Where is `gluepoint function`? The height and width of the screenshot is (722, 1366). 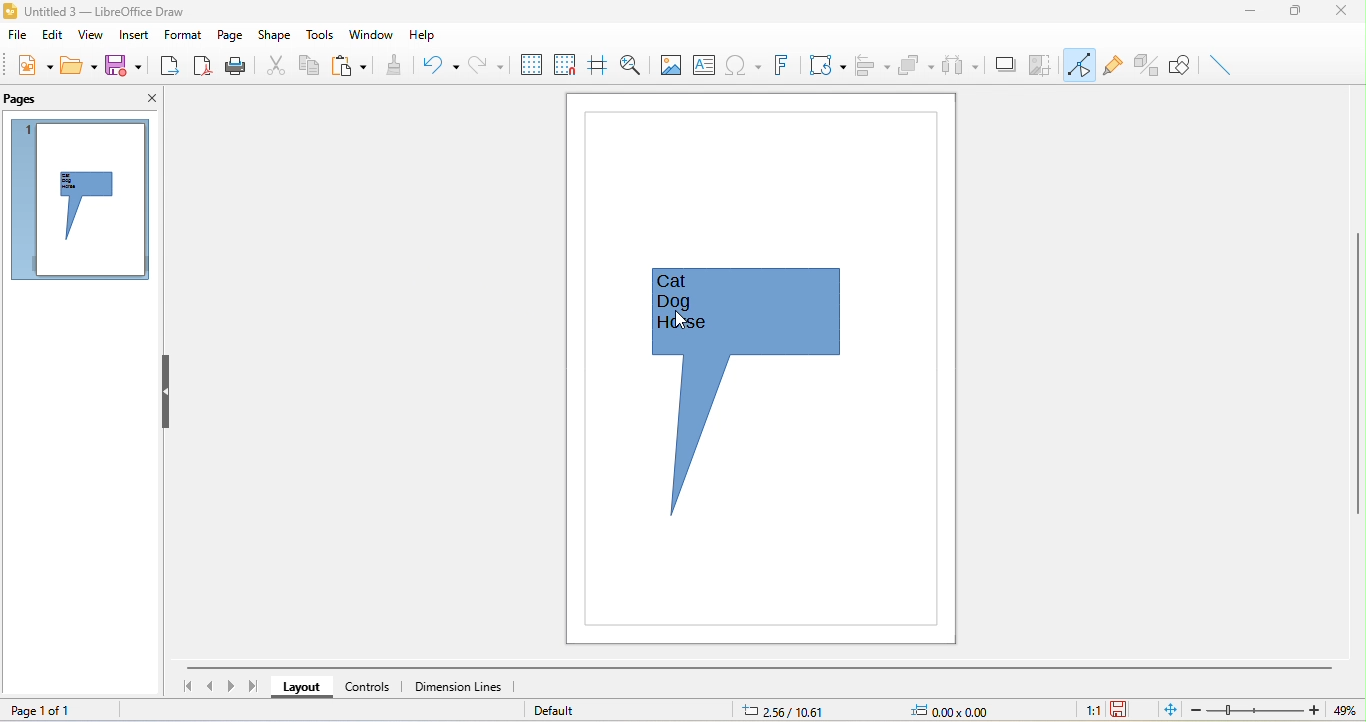 gluepoint function is located at coordinates (1112, 68).